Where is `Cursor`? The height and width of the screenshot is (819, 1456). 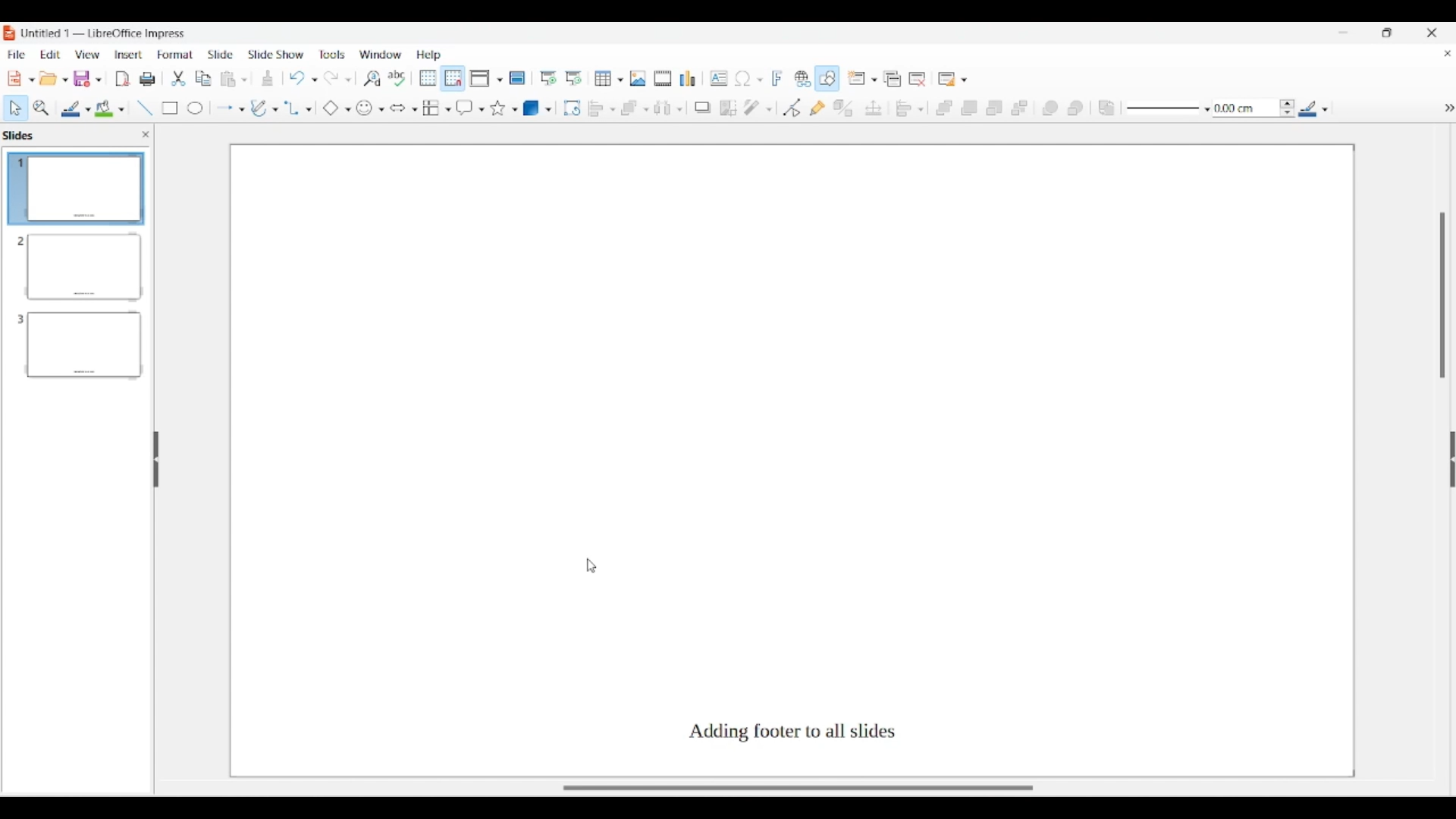
Cursor is located at coordinates (591, 565).